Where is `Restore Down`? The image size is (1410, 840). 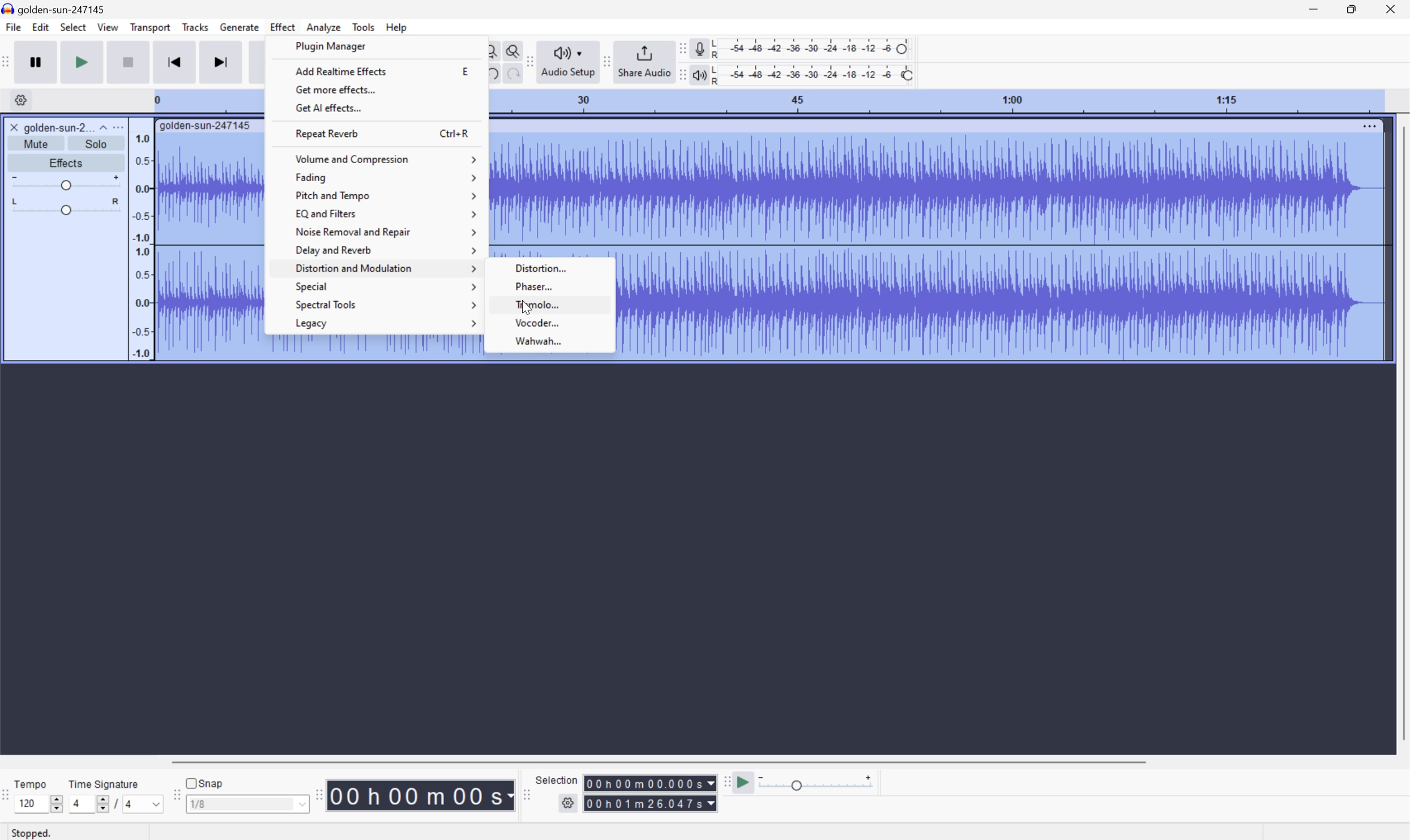
Restore Down is located at coordinates (1351, 9).